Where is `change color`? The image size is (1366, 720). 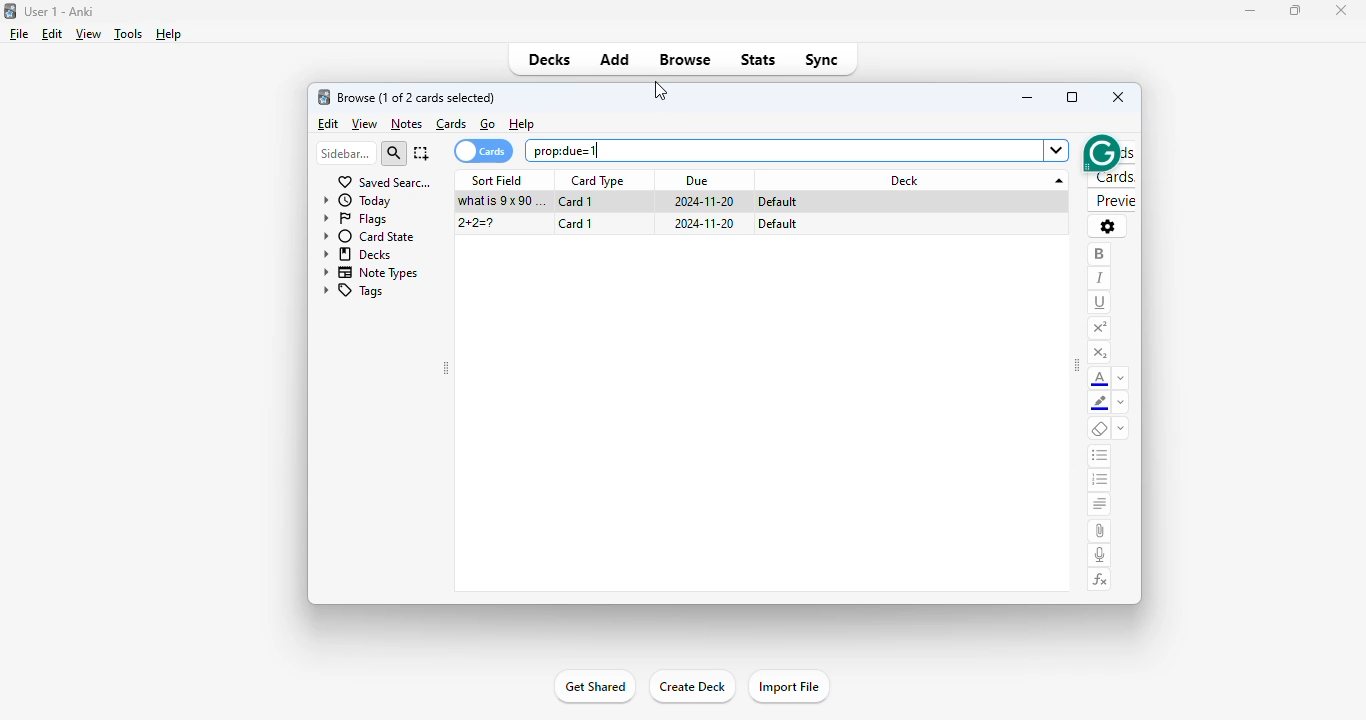
change color is located at coordinates (1122, 377).